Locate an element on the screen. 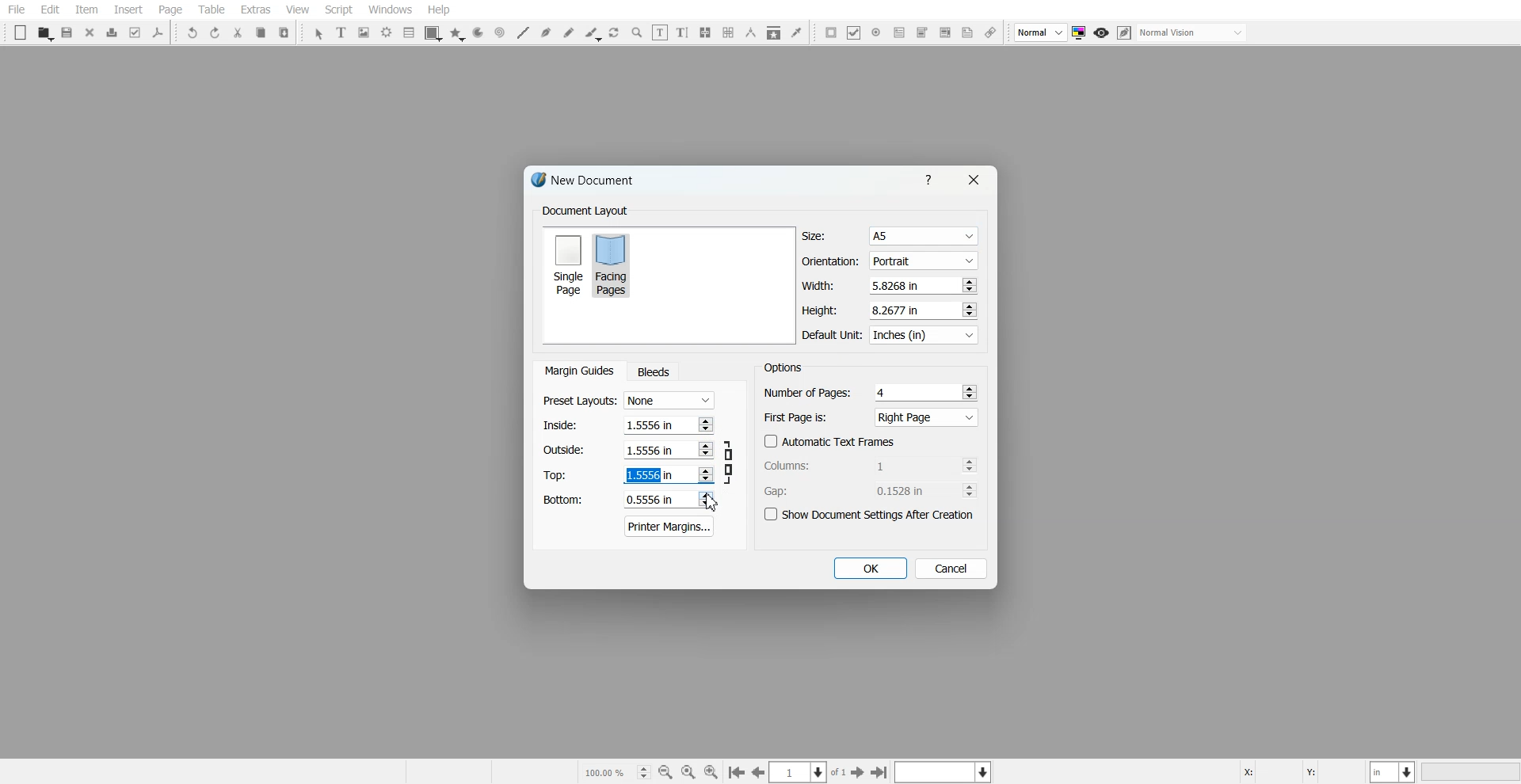 This screenshot has width=1521, height=784. File is located at coordinates (17, 10).